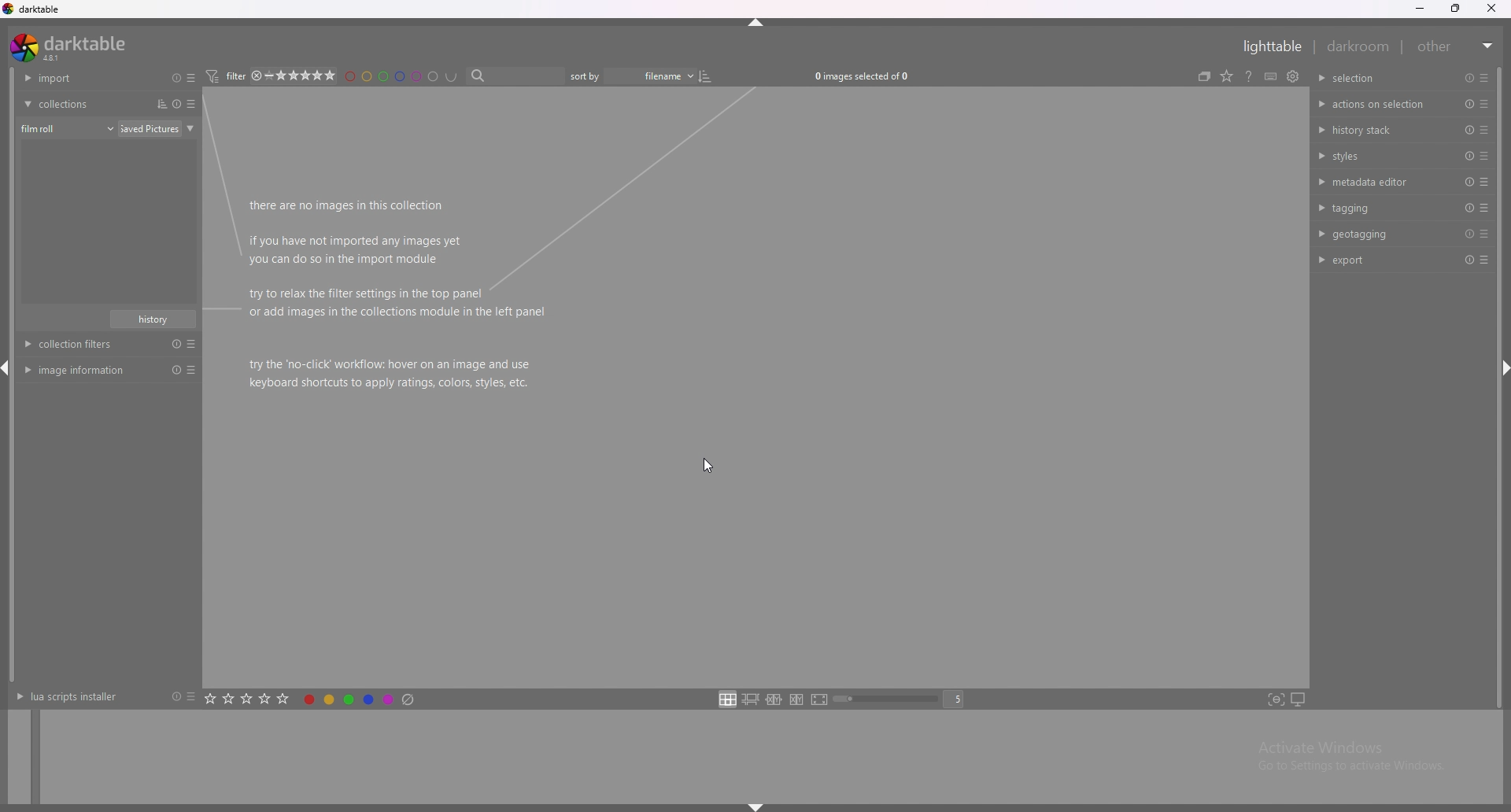  What do you see at coordinates (393, 374) in the screenshot?
I see `try the ‘no-click’ workflow: hover on an image and use
keyboard shortcuts to apply ratings, colors, styles, etc.` at bounding box center [393, 374].